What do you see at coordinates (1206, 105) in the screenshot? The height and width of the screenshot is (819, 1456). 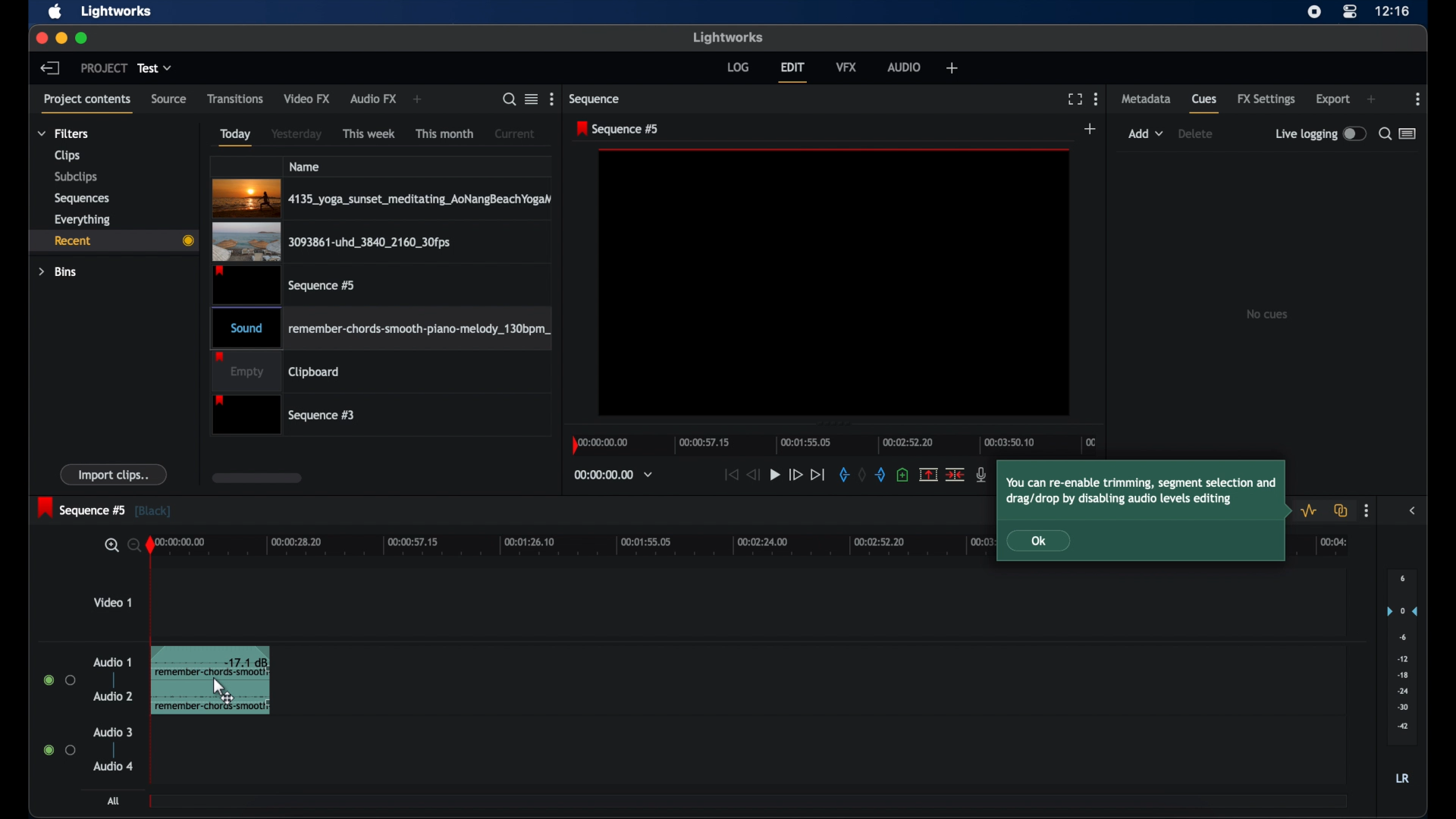 I see `cues` at bounding box center [1206, 105].